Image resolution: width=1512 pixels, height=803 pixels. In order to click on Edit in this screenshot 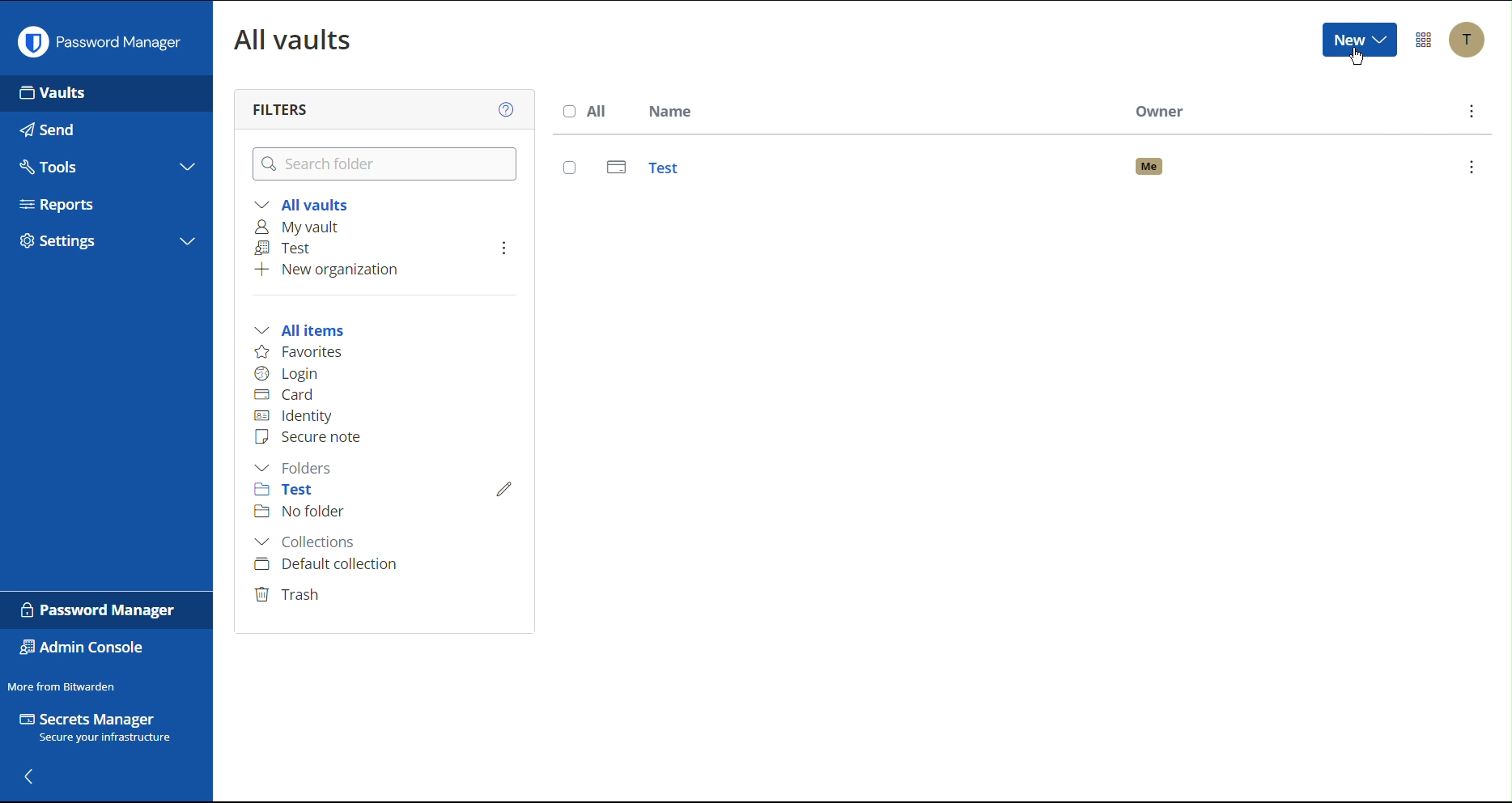, I will do `click(504, 486)`.